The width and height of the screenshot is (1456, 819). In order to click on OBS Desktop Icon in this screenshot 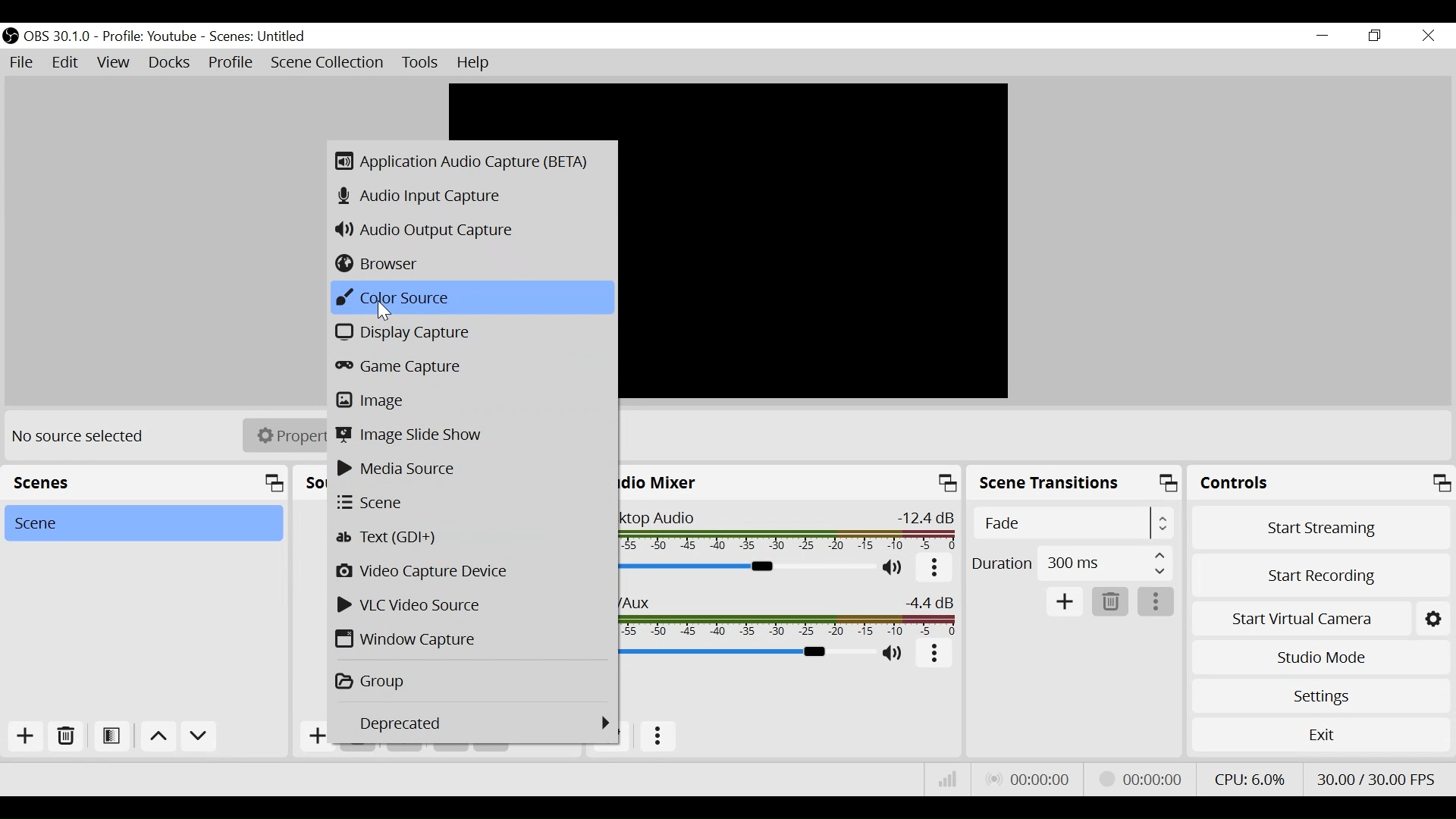, I will do `click(9, 36)`.